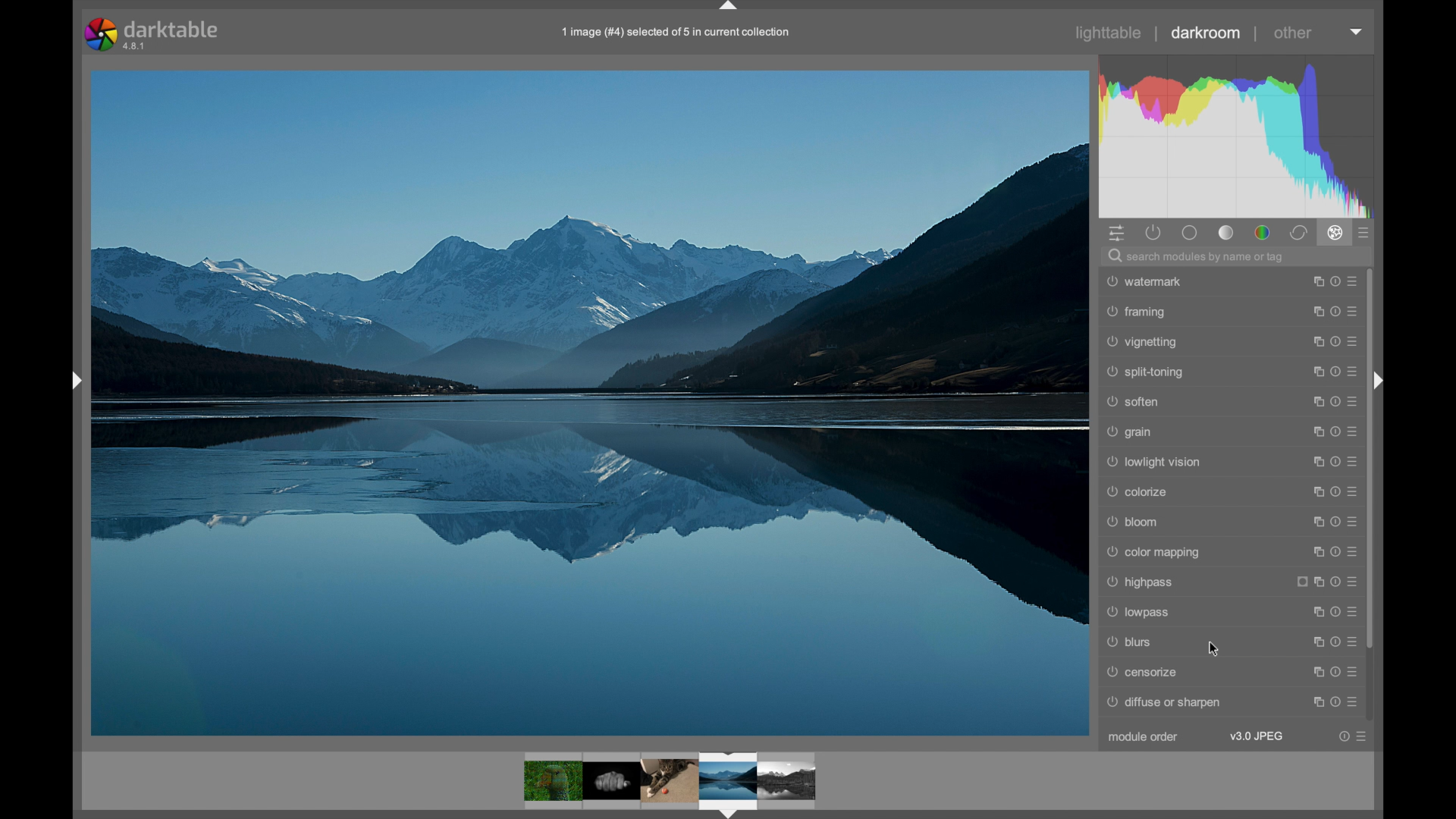 This screenshot has width=1456, height=819. Describe the element at coordinates (1314, 612) in the screenshot. I see `maximize` at that location.